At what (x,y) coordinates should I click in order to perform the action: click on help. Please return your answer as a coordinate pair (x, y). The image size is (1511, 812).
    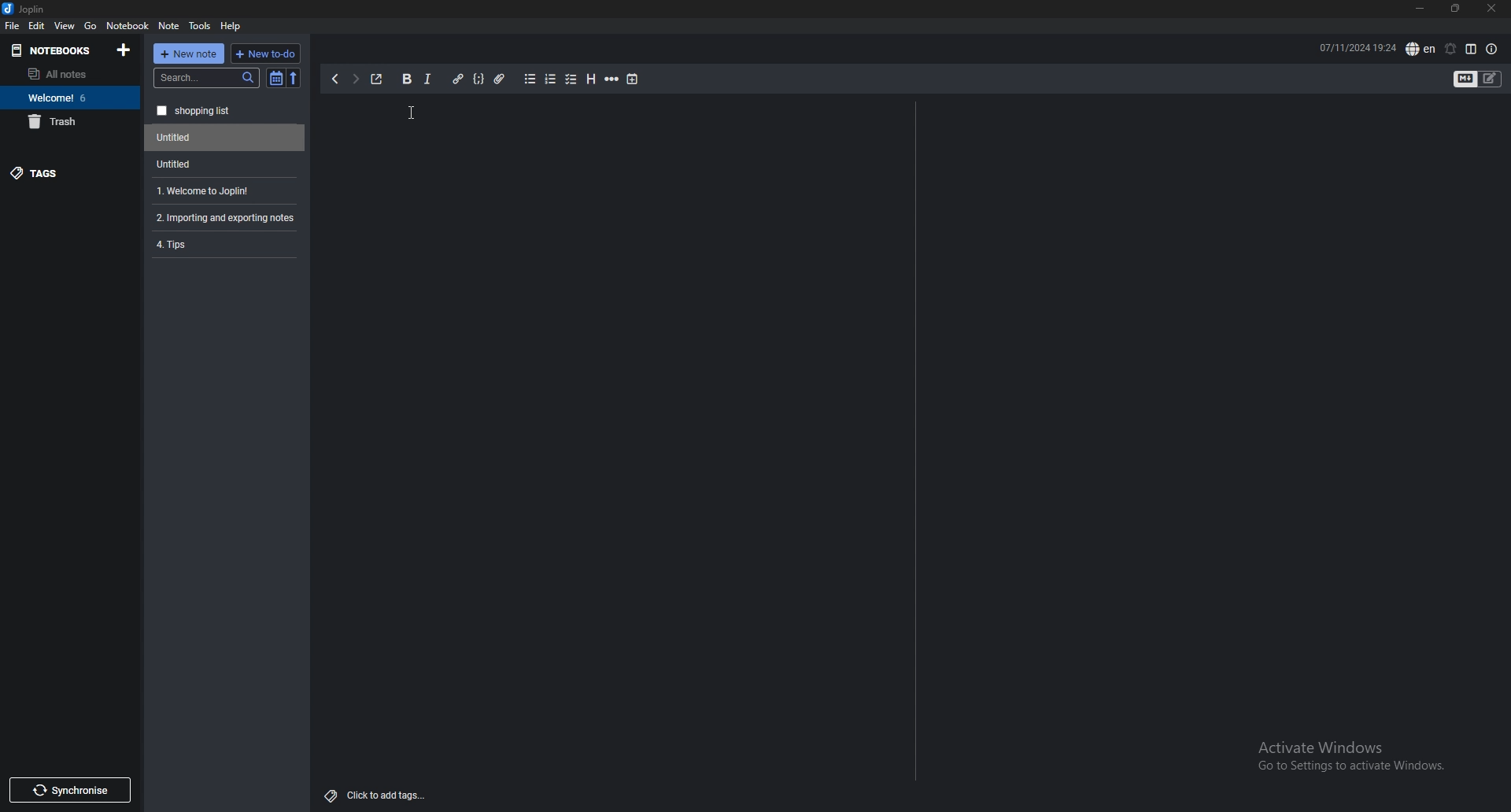
    Looking at the image, I should click on (231, 25).